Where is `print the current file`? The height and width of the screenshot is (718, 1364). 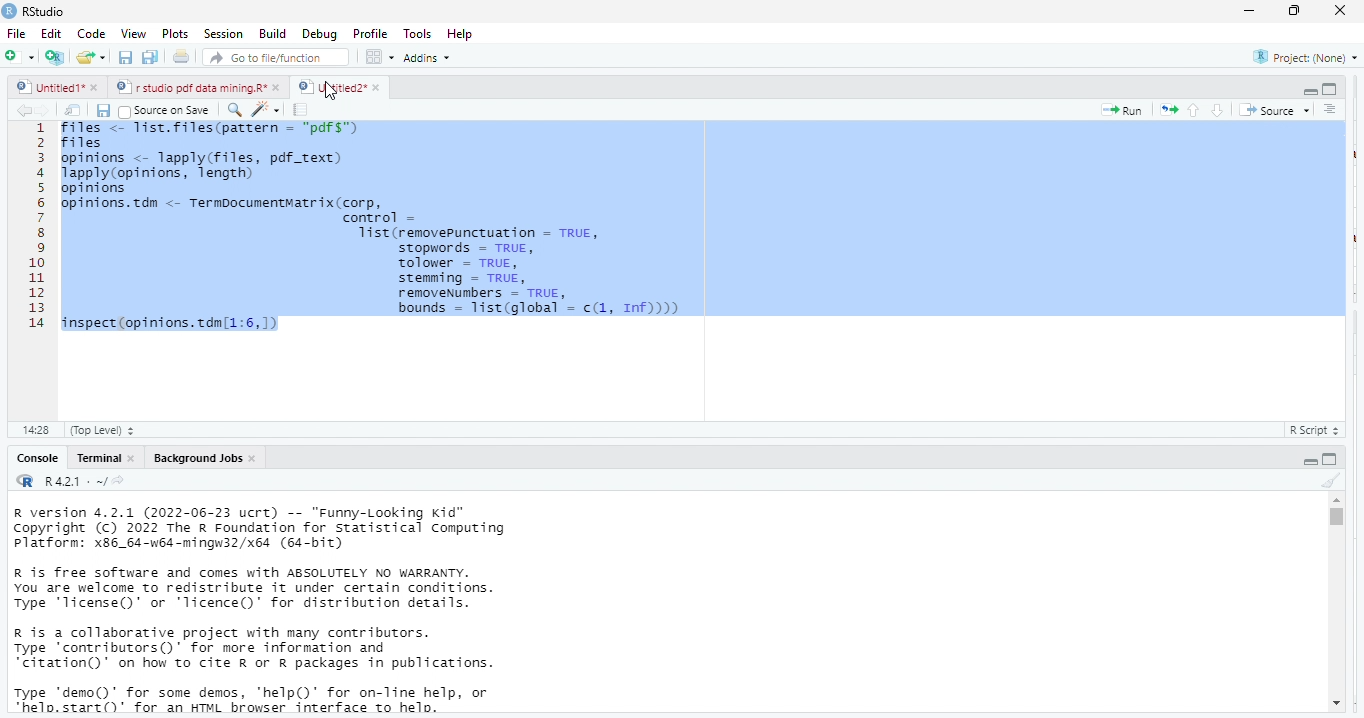
print the current file is located at coordinates (182, 58).